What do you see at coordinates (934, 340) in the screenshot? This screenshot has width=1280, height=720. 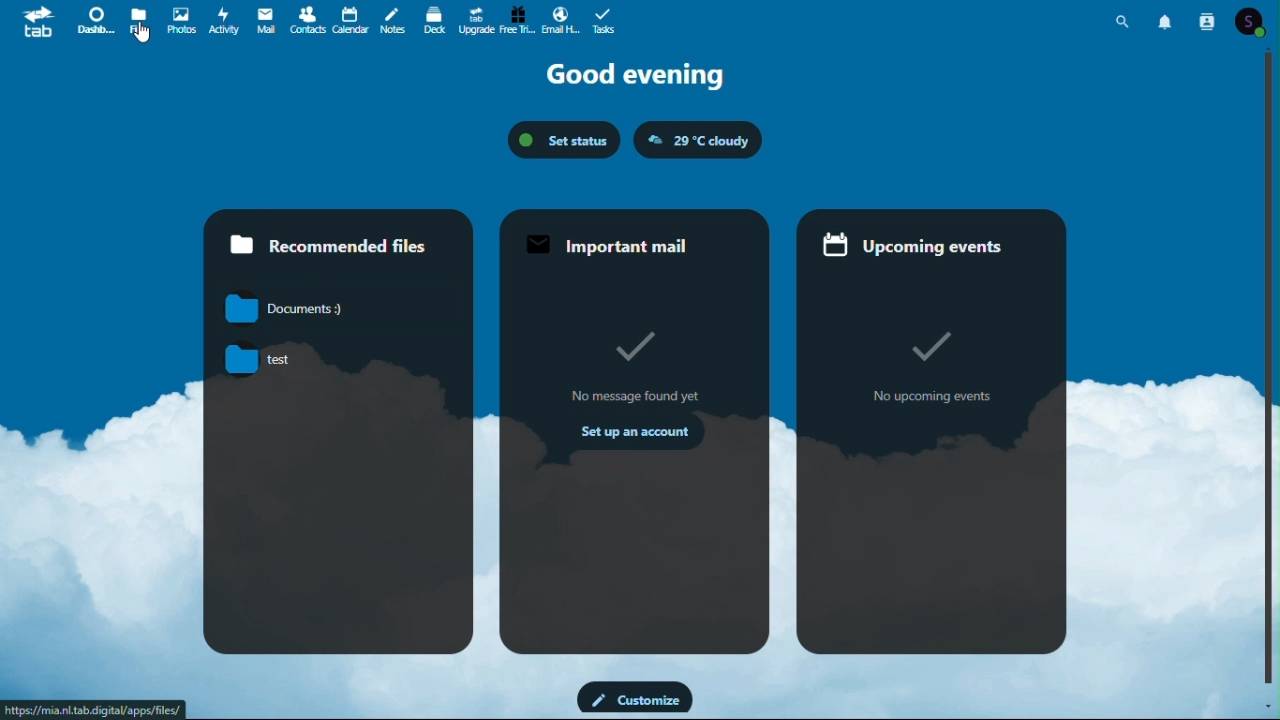 I see `Visuals` at bounding box center [934, 340].